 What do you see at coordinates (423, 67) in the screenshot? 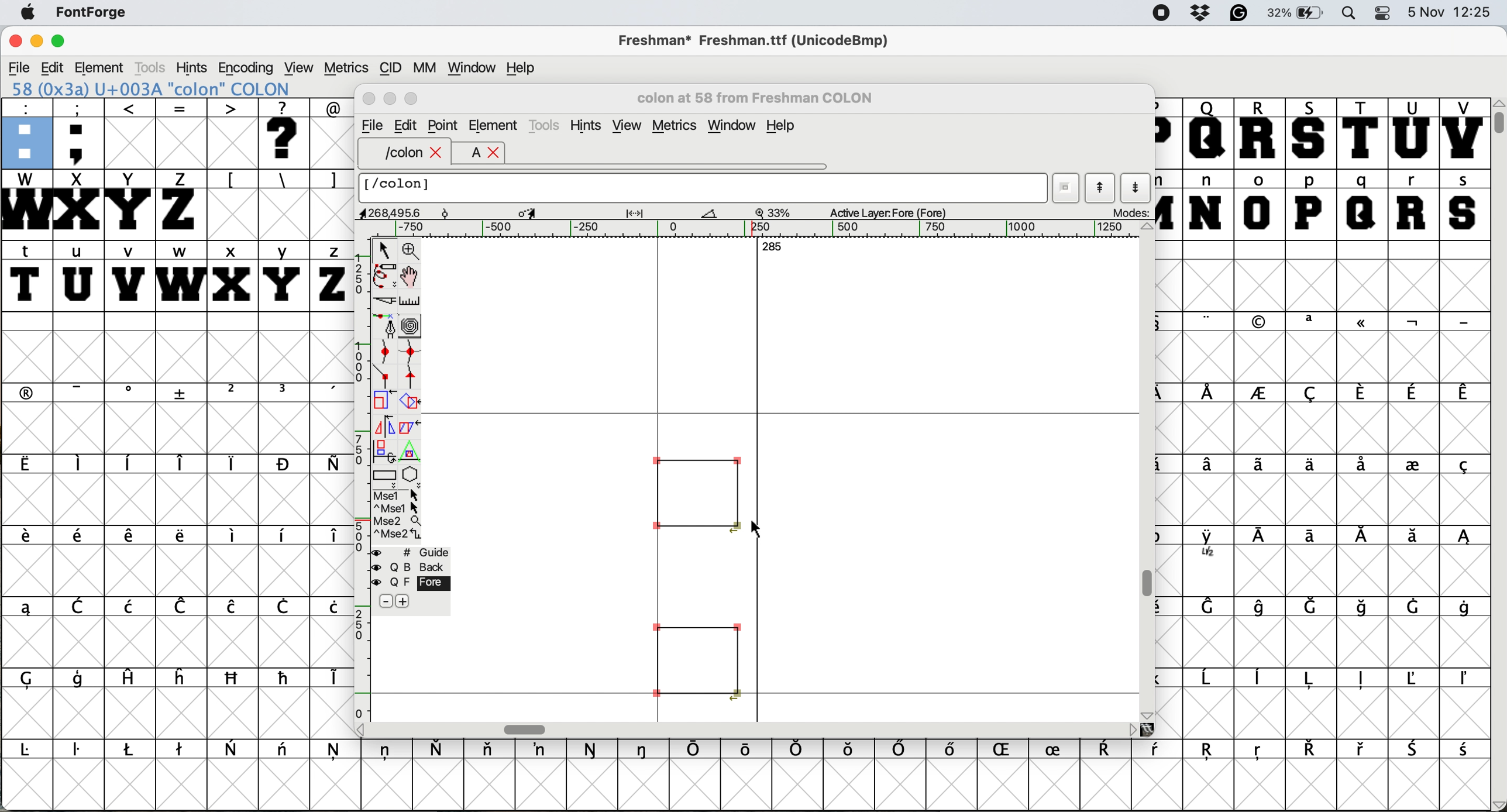
I see `mm` at bounding box center [423, 67].